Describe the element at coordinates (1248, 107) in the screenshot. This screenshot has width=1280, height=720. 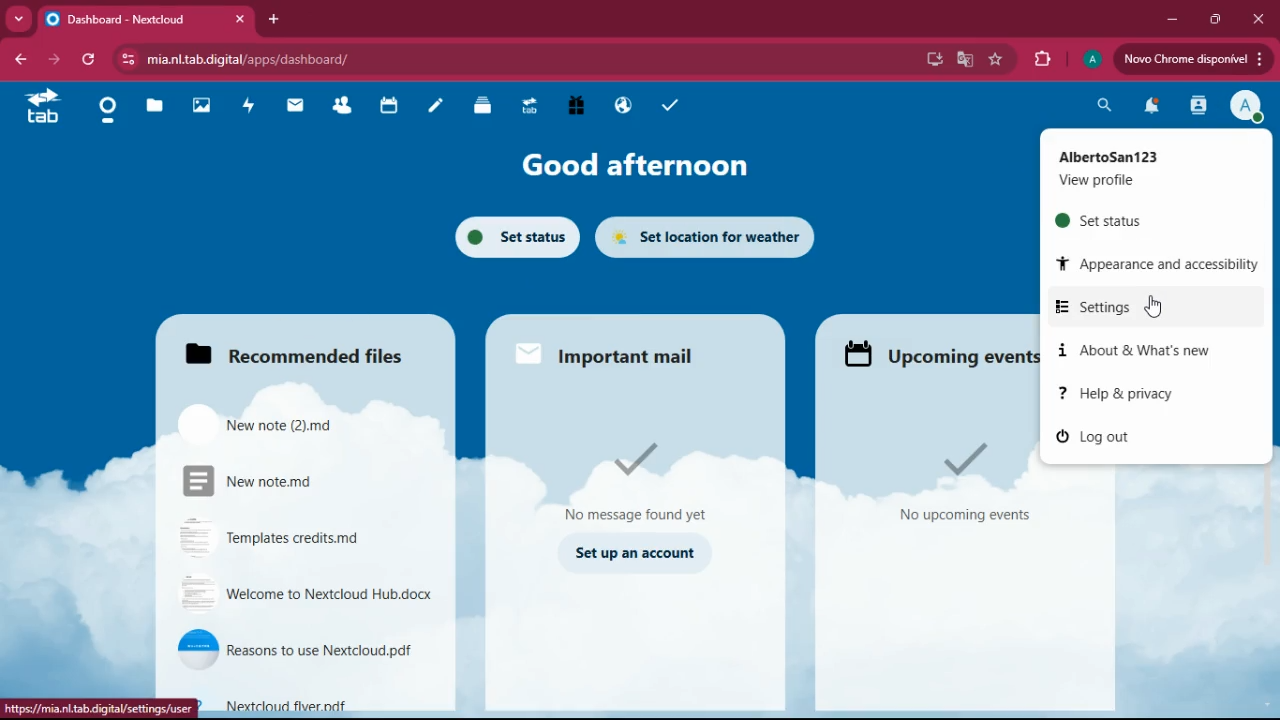
I see `profile` at that location.